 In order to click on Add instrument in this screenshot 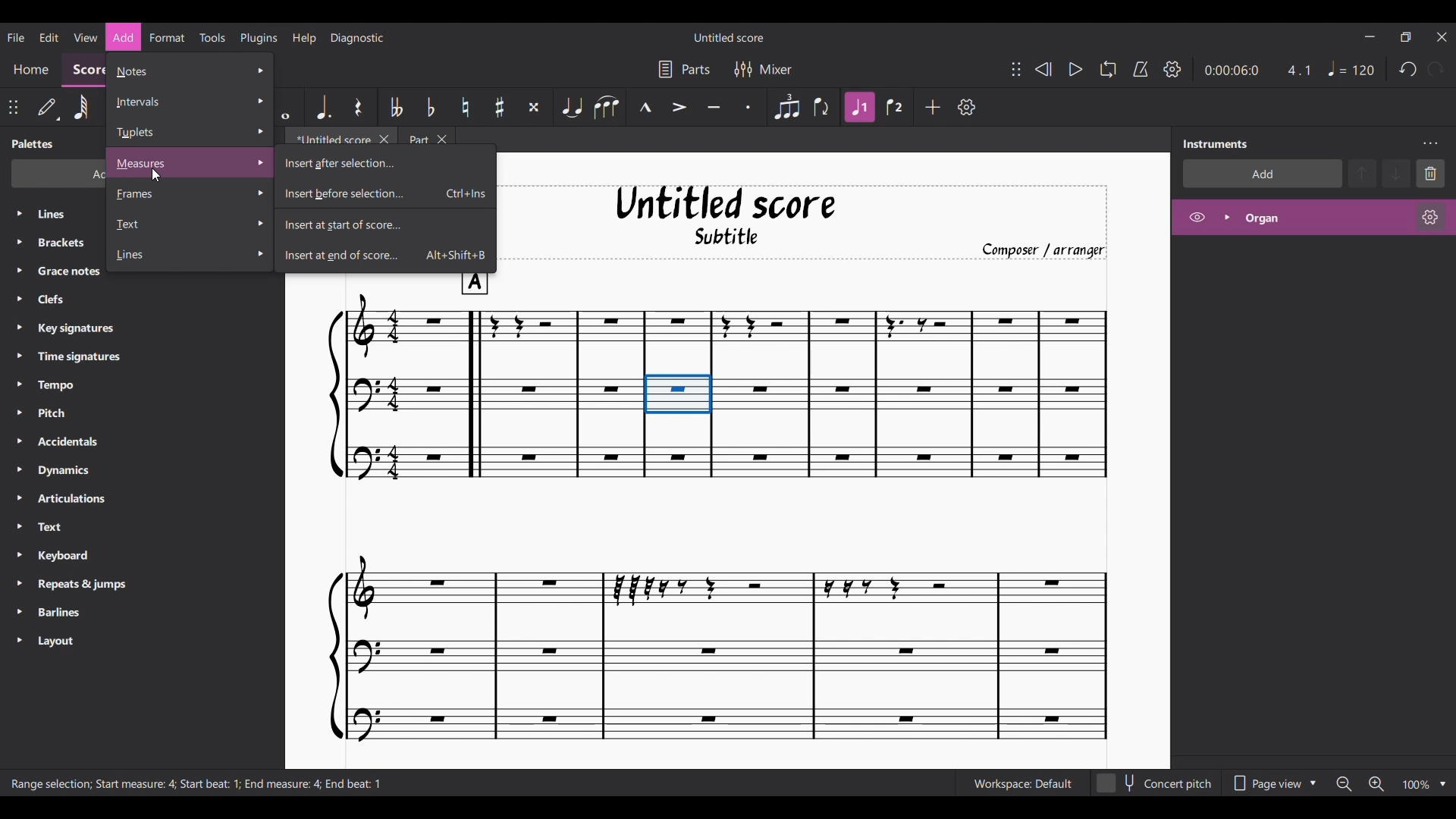, I will do `click(1262, 174)`.